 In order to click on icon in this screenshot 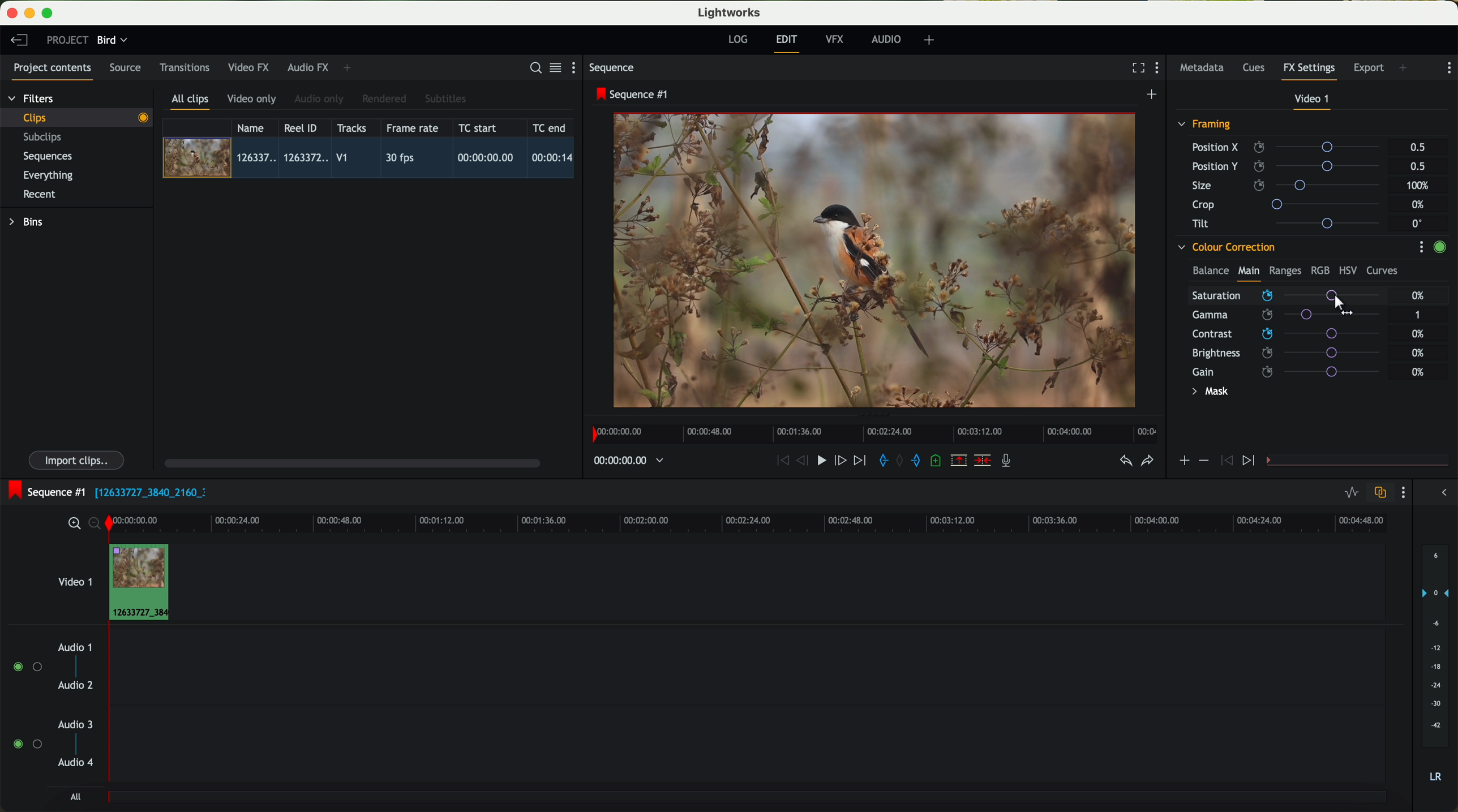, I will do `click(1225, 461)`.